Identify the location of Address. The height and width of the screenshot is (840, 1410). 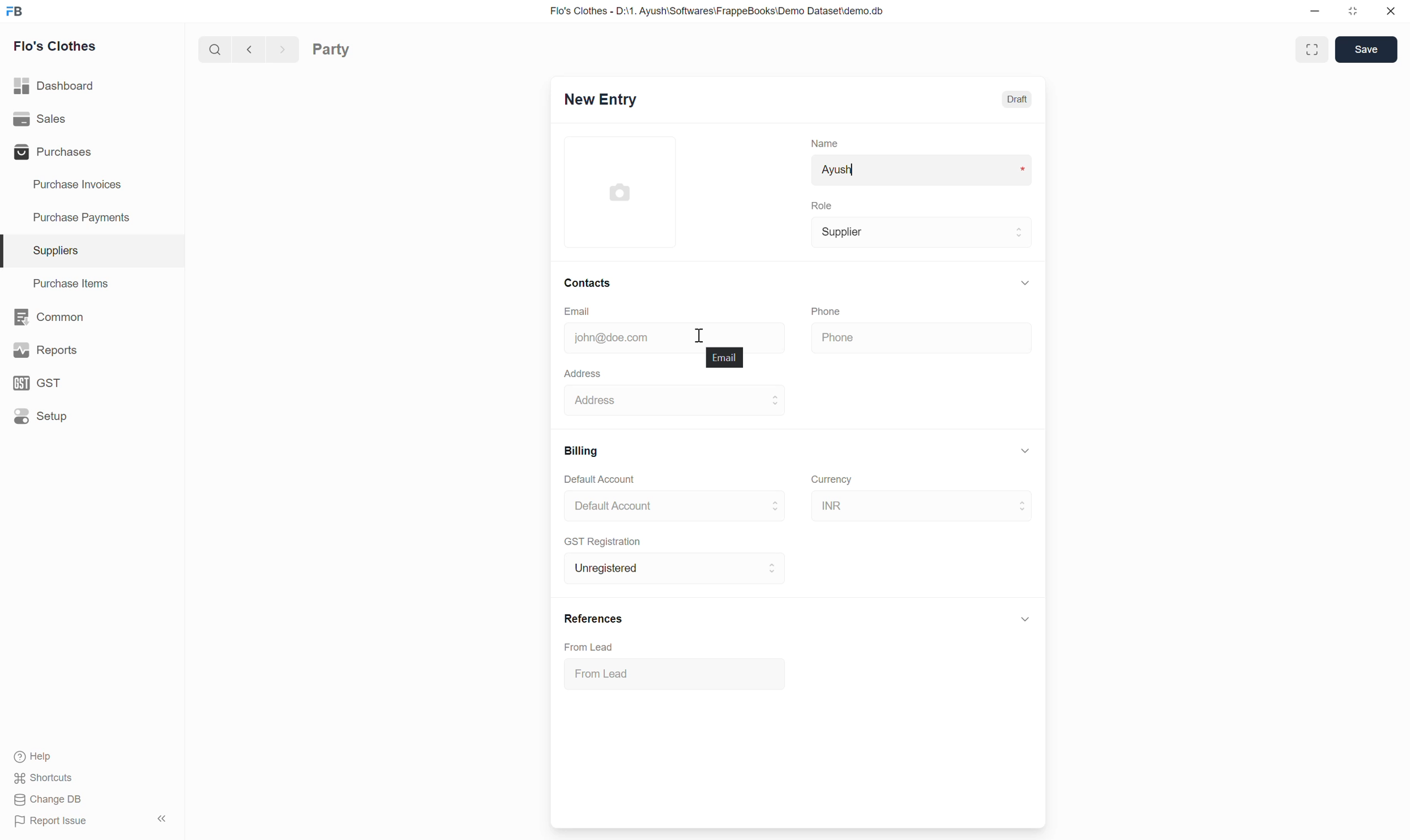
(674, 400).